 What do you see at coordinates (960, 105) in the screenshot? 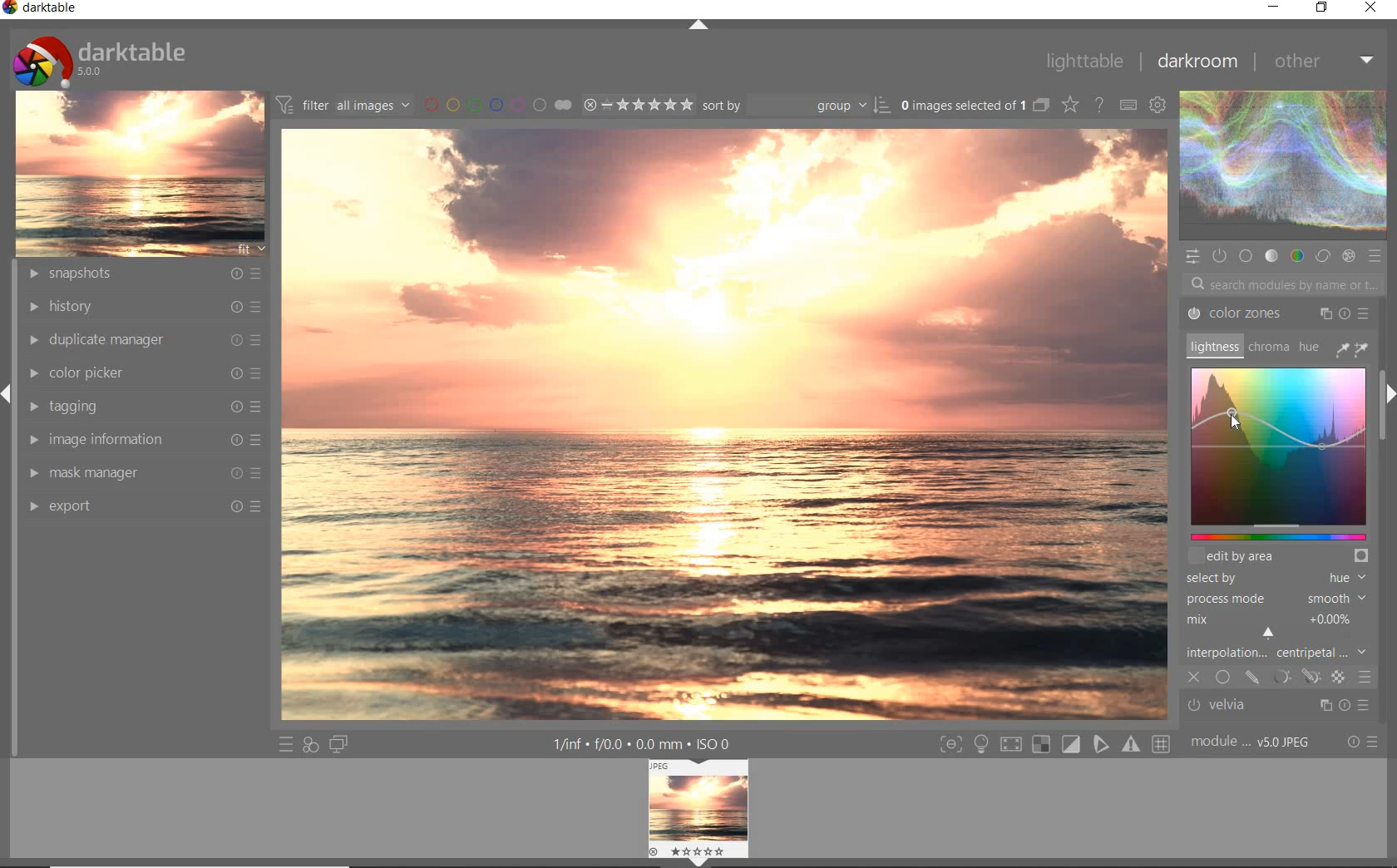
I see `SELSECTED IMAGE` at bounding box center [960, 105].